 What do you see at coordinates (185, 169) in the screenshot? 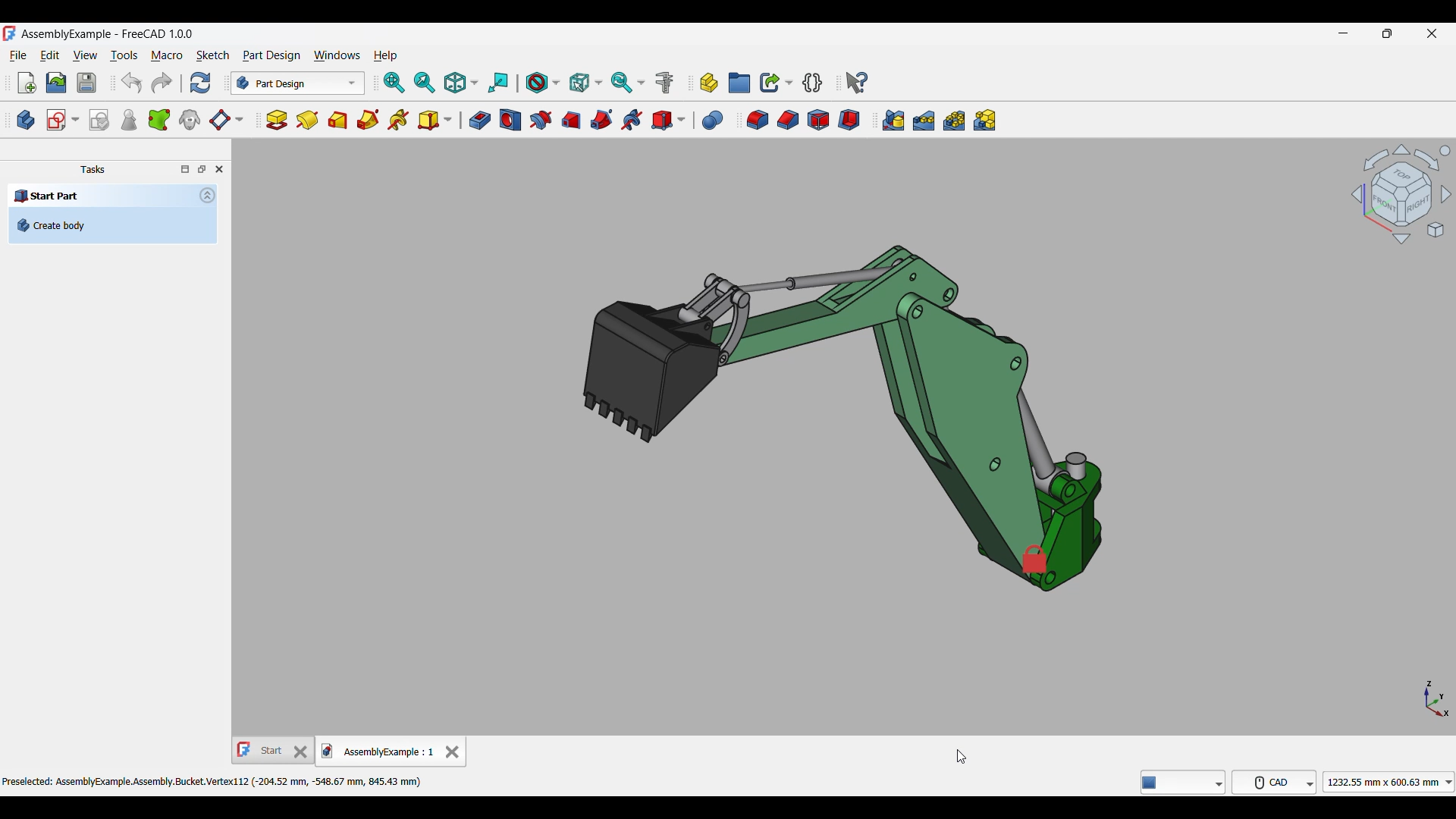
I see `Toggle overlay` at bounding box center [185, 169].